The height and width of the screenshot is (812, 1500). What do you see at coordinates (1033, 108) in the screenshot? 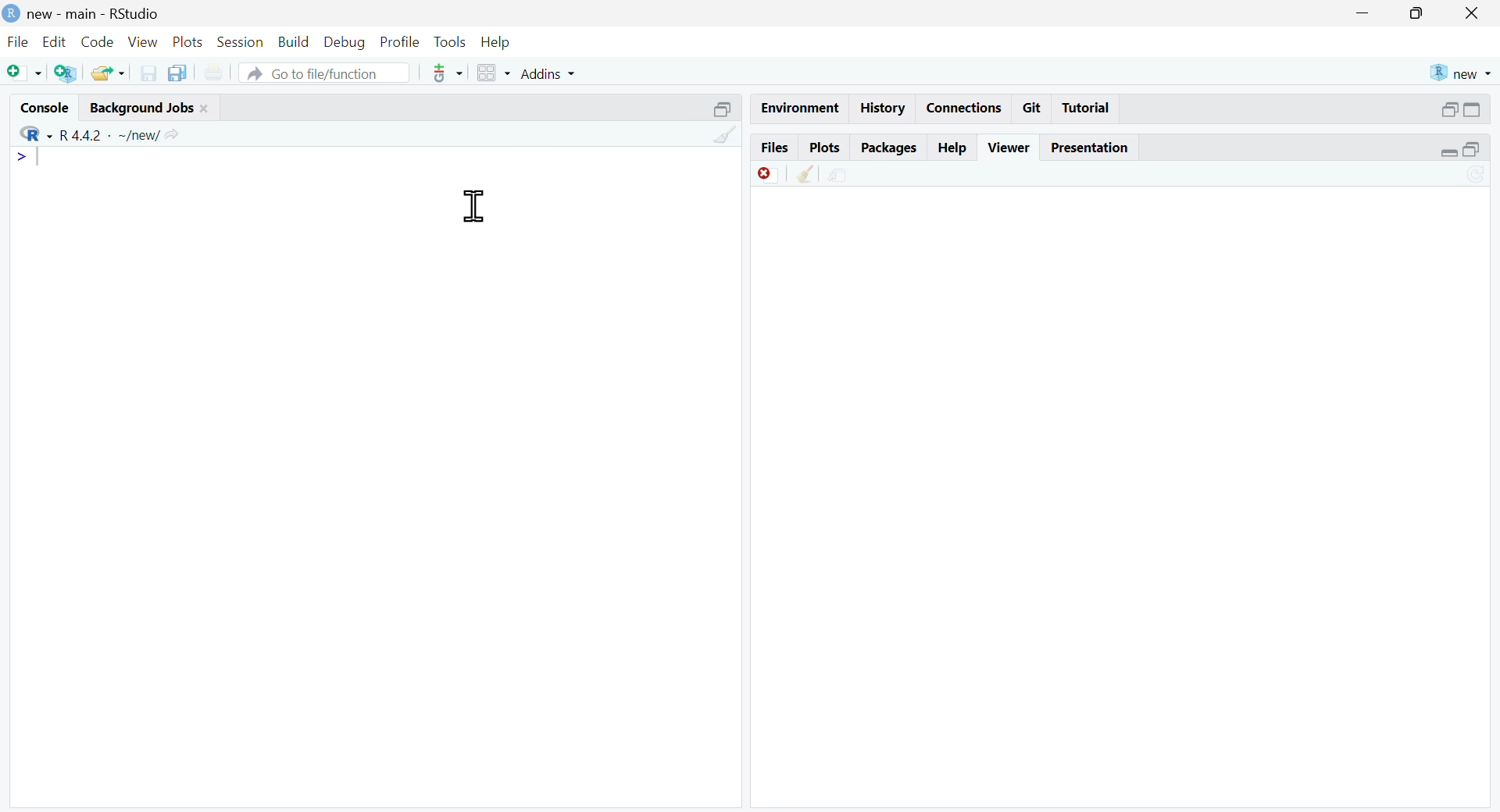
I see `git` at bounding box center [1033, 108].